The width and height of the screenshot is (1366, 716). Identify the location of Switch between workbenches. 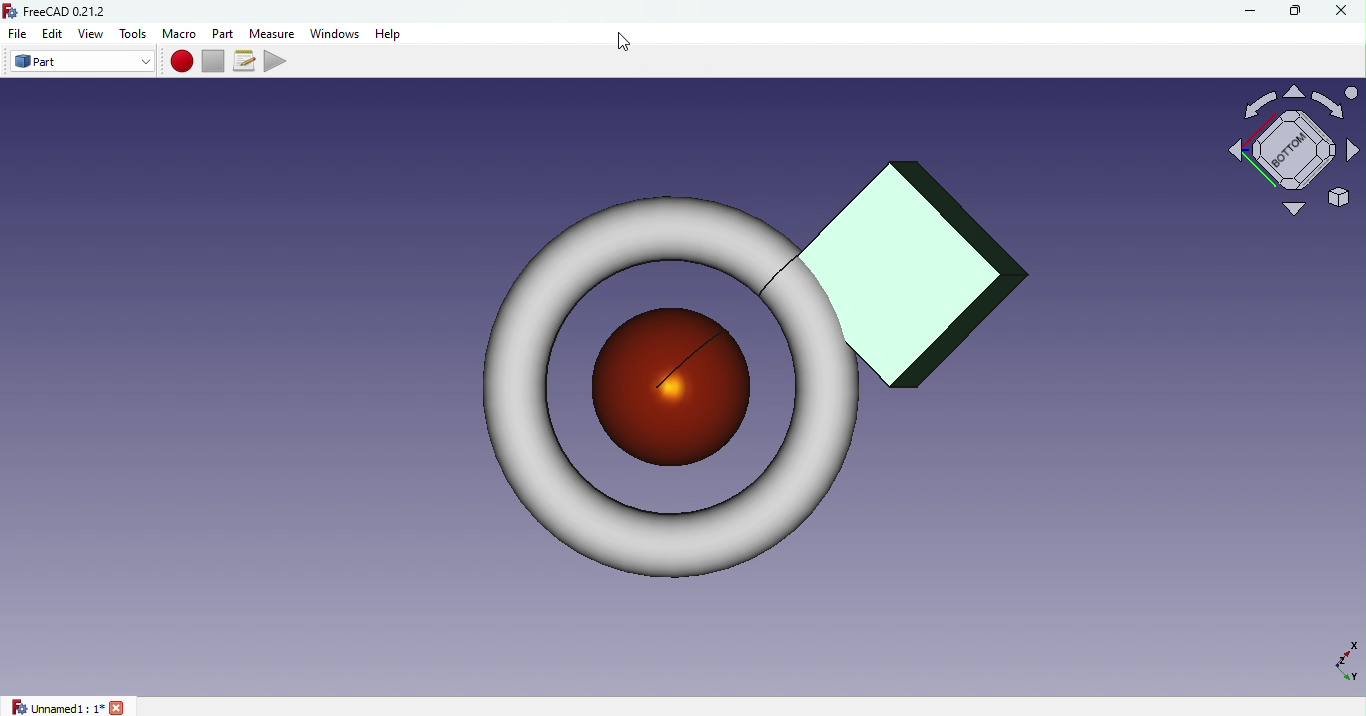
(78, 62).